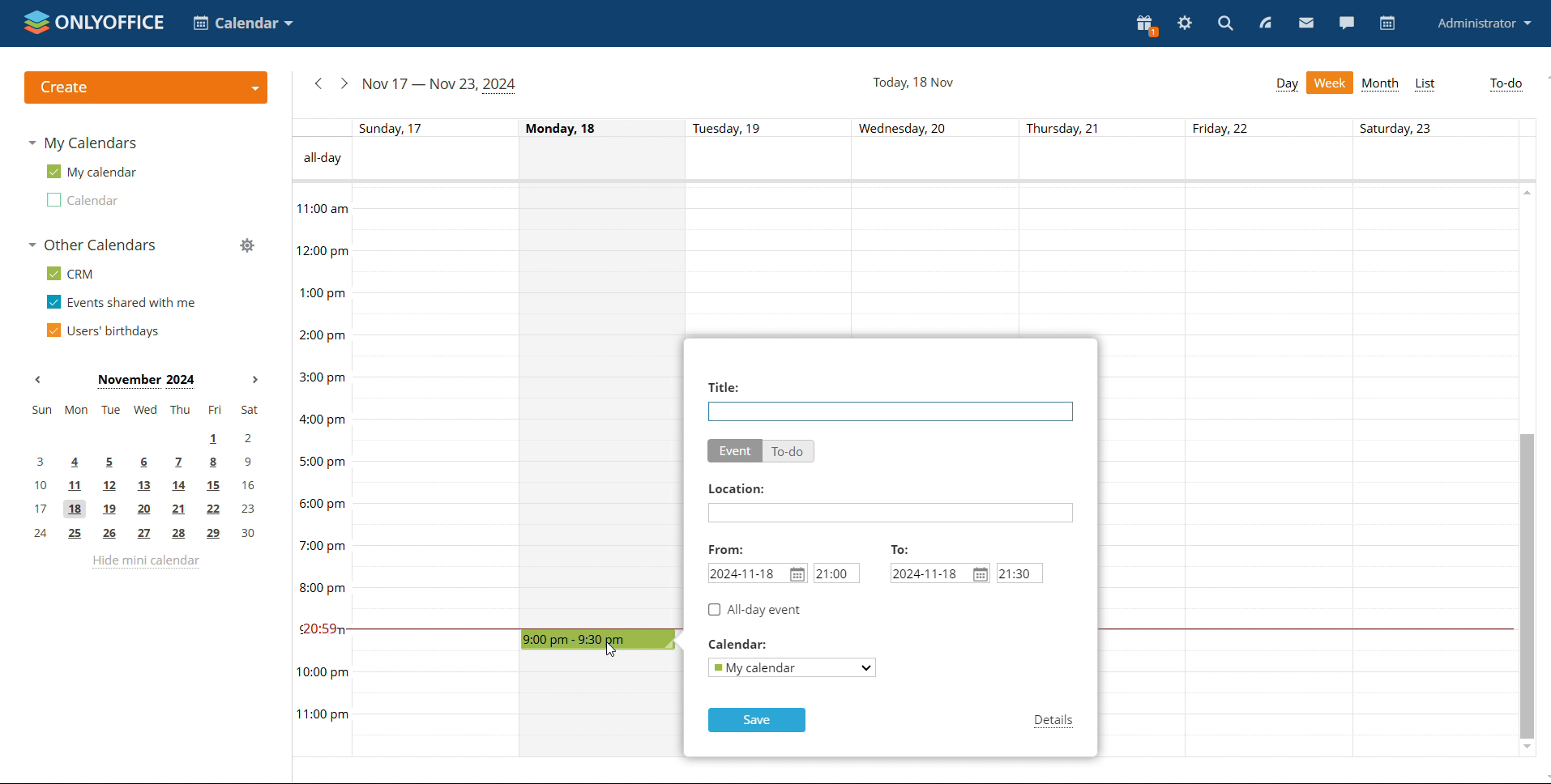 The width and height of the screenshot is (1551, 784). Describe the element at coordinates (940, 573) in the screenshot. I see `end date` at that location.